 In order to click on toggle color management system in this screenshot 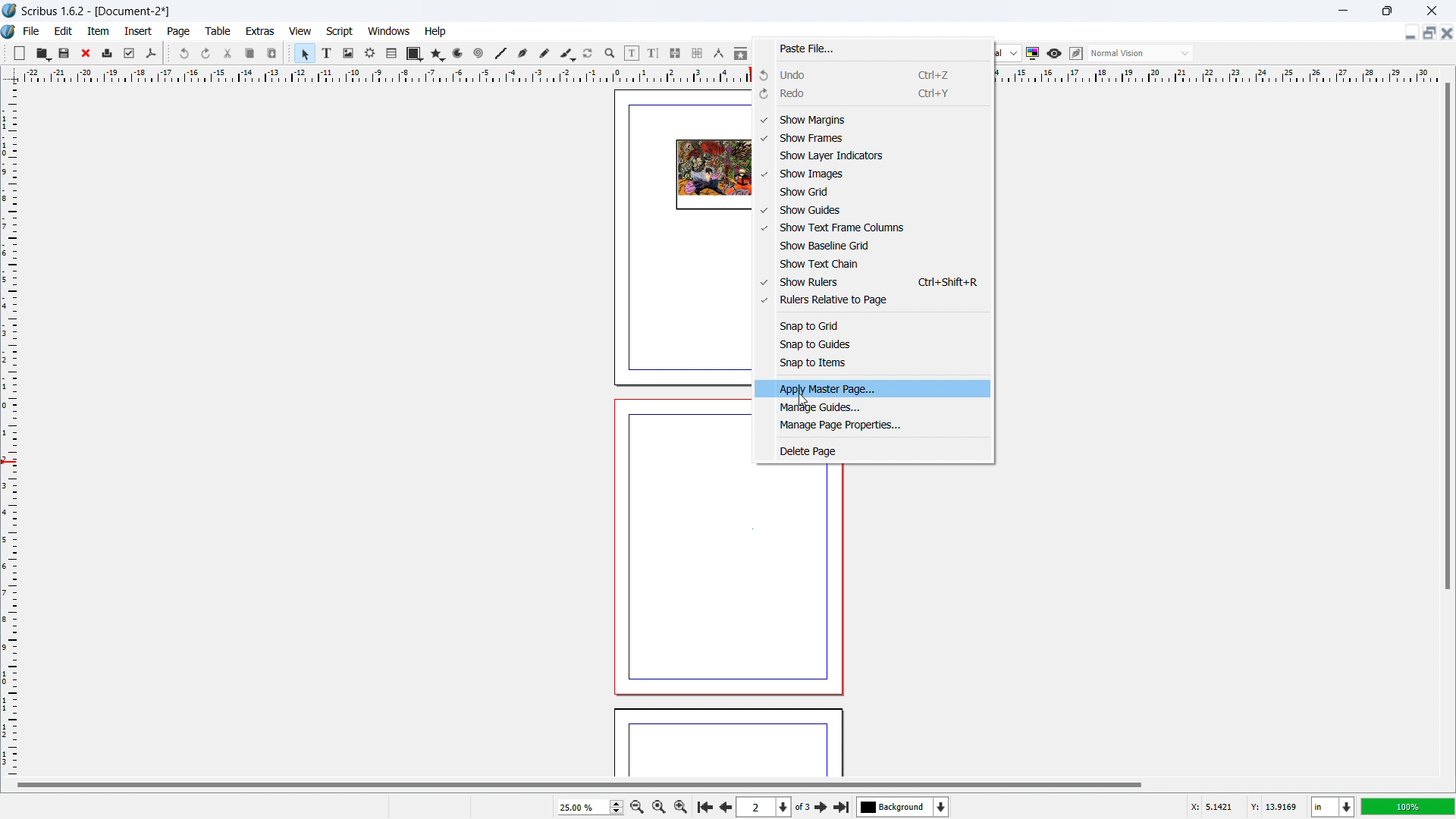, I will do `click(1034, 53)`.